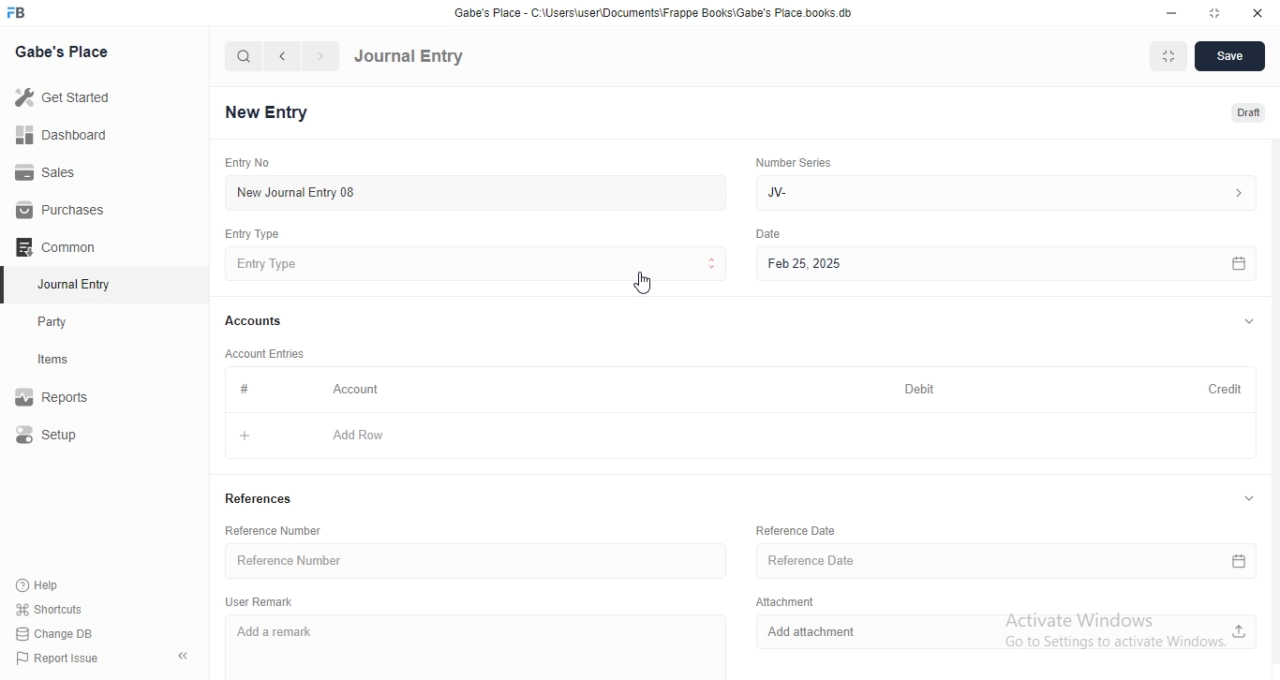 Image resolution: width=1280 pixels, height=680 pixels. What do you see at coordinates (183, 657) in the screenshot?
I see `collapse sidebar` at bounding box center [183, 657].